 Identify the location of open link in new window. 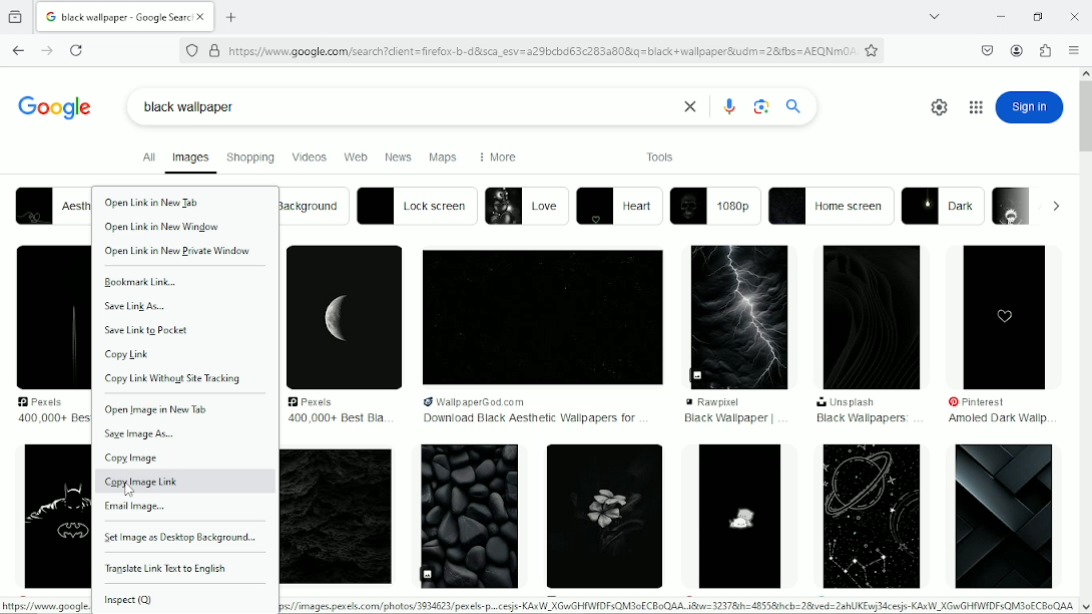
(165, 226).